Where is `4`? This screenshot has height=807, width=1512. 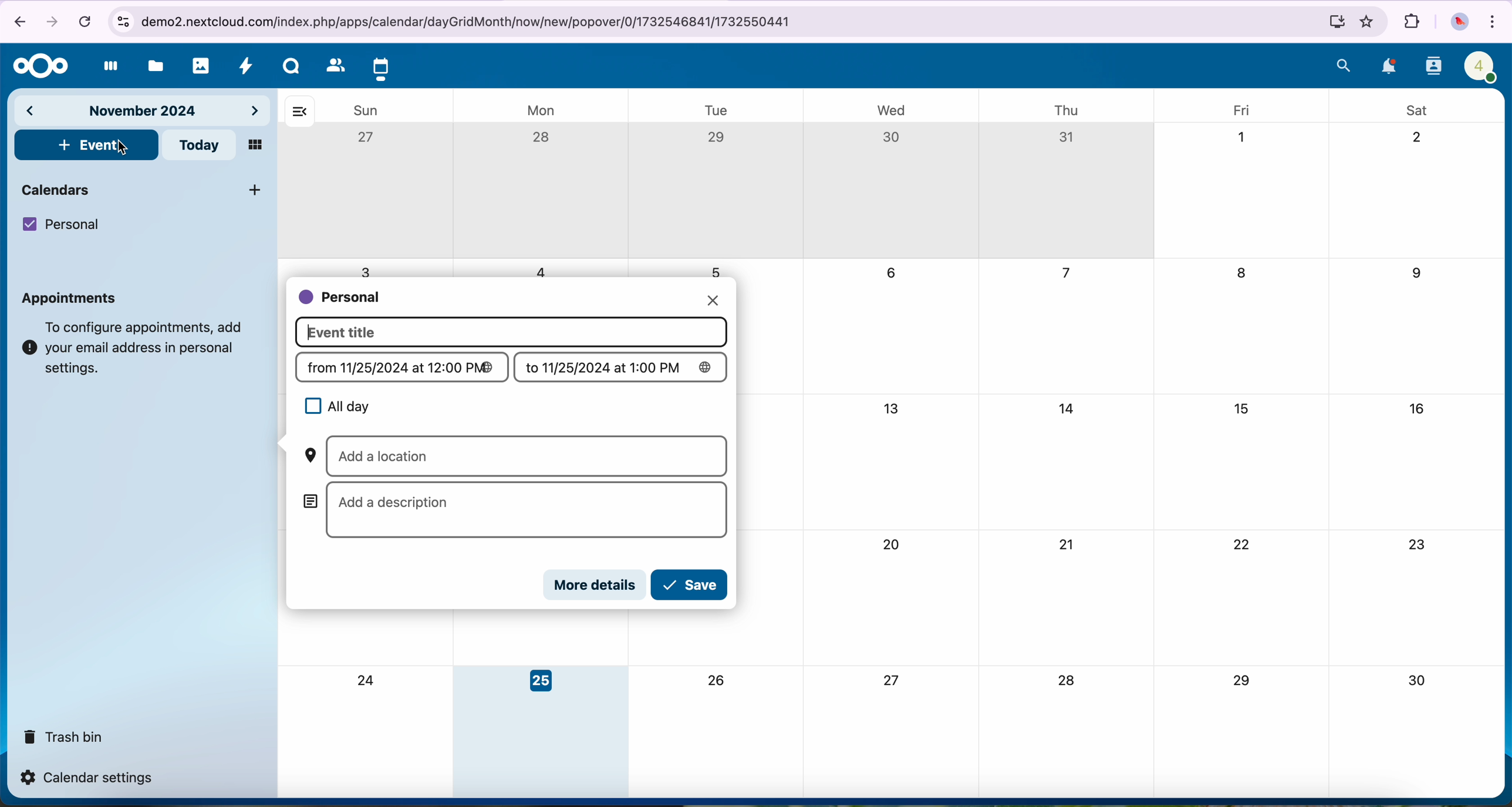 4 is located at coordinates (538, 271).